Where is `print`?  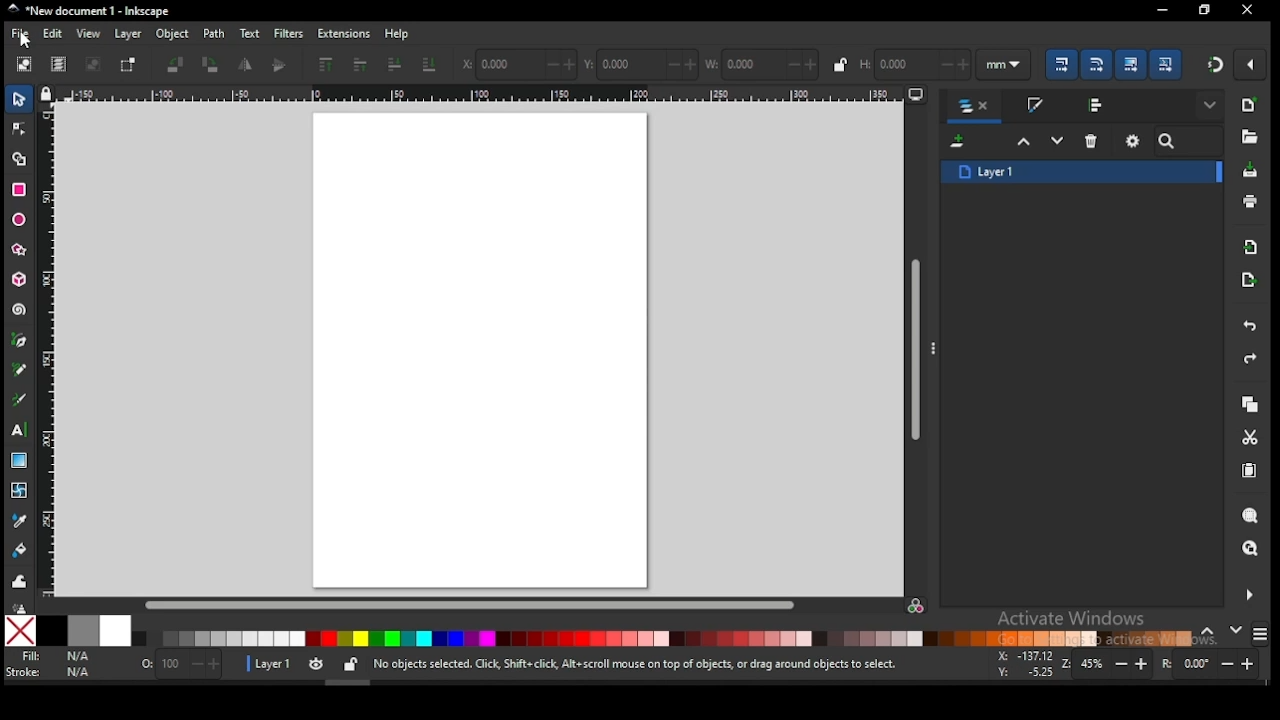 print is located at coordinates (1250, 202).